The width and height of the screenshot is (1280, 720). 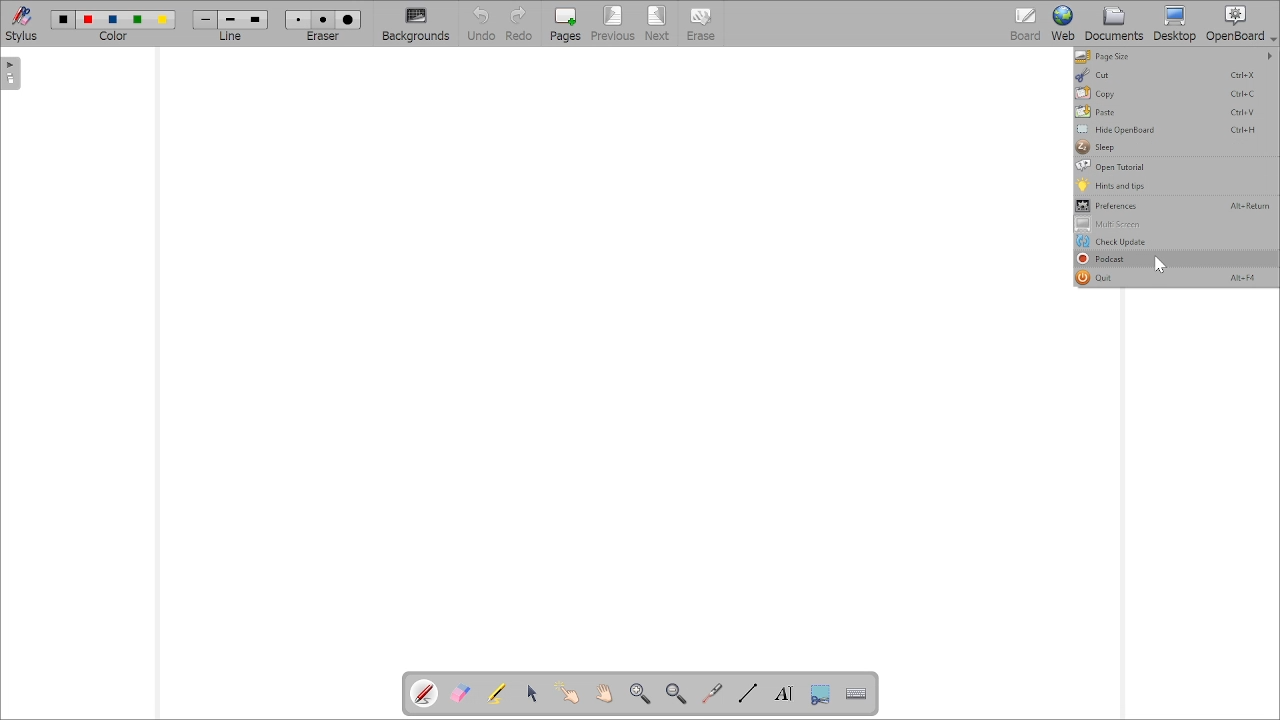 What do you see at coordinates (1242, 24) in the screenshot?
I see `OpenBoard` at bounding box center [1242, 24].